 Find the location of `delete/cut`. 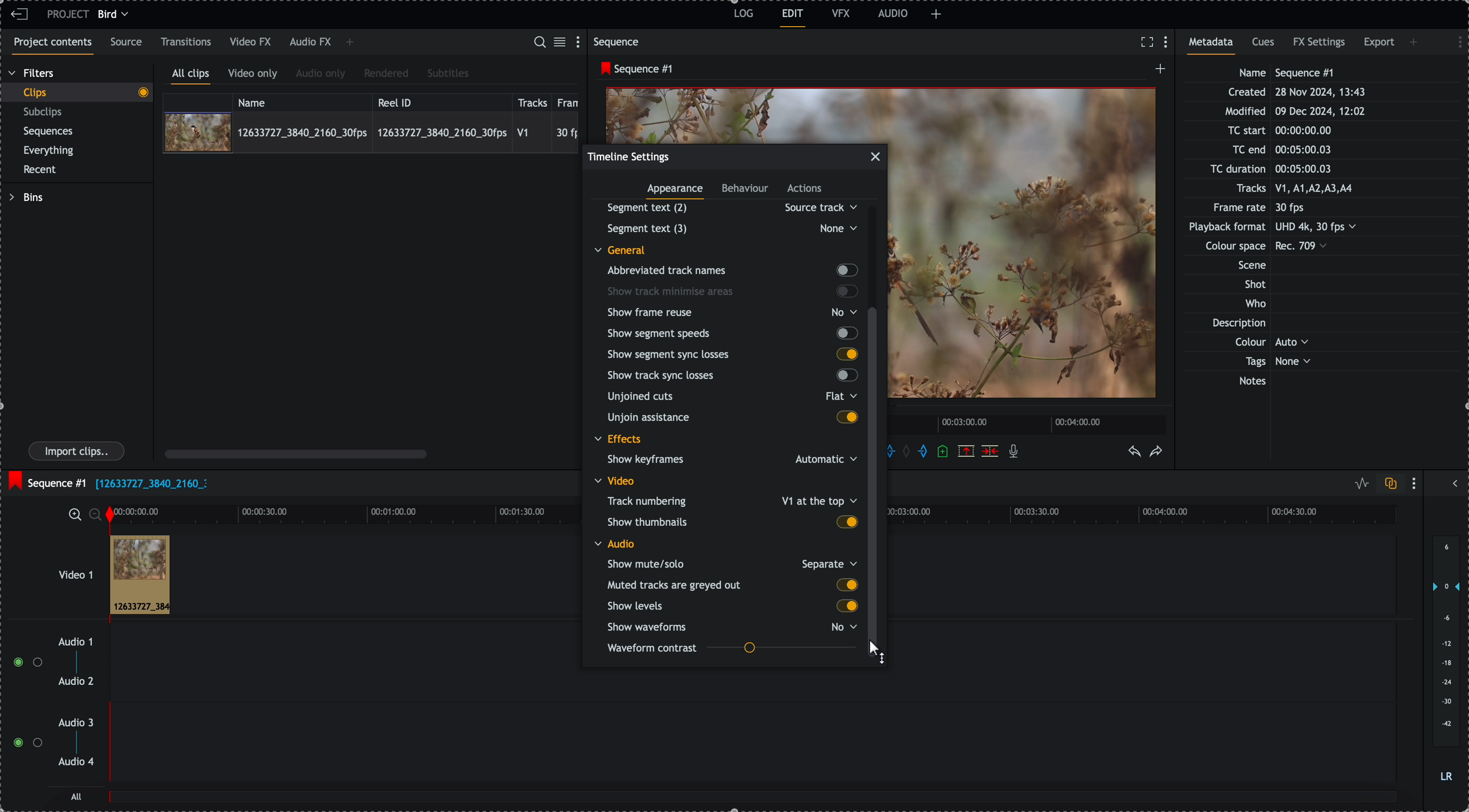

delete/cut is located at coordinates (990, 451).